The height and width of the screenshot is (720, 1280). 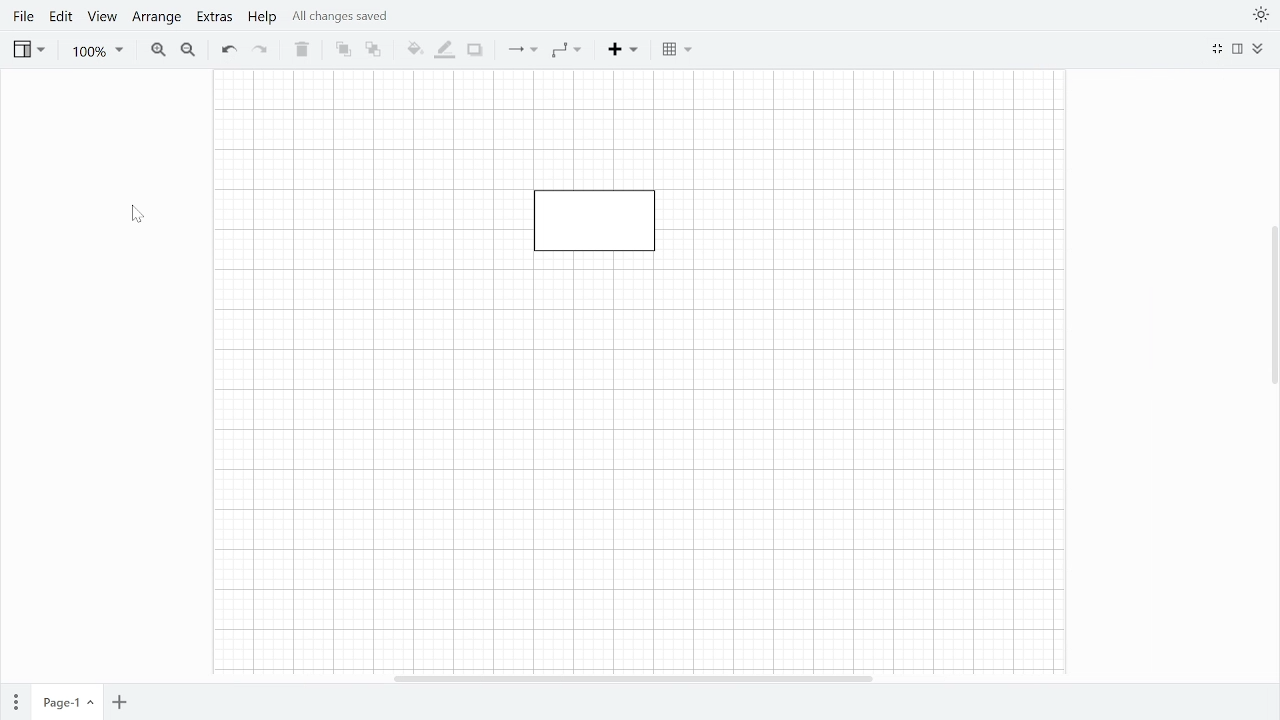 I want to click on File, so click(x=23, y=18).